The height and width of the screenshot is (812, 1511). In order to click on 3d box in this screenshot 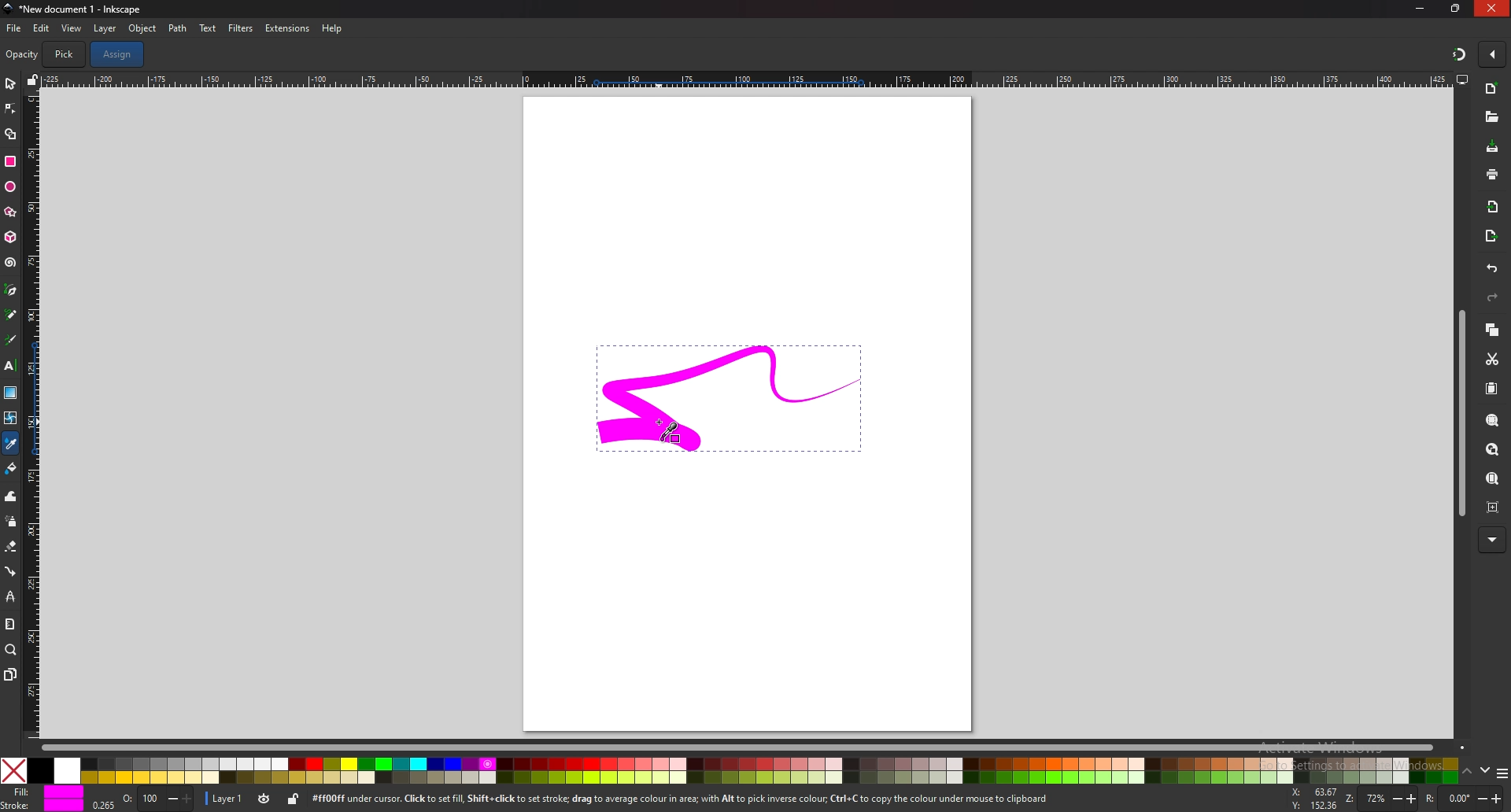, I will do `click(11, 238)`.